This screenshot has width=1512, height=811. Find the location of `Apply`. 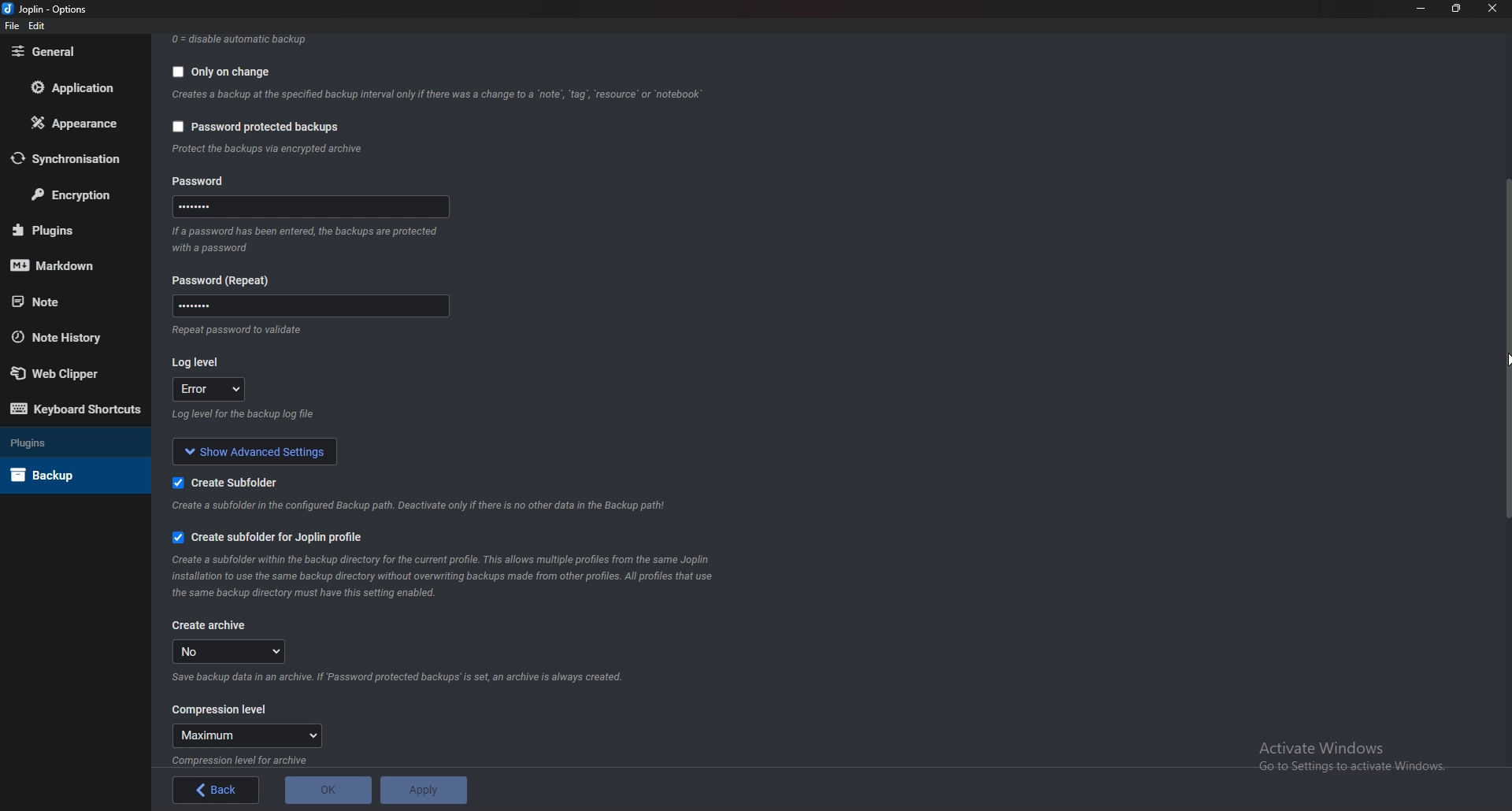

Apply is located at coordinates (422, 788).